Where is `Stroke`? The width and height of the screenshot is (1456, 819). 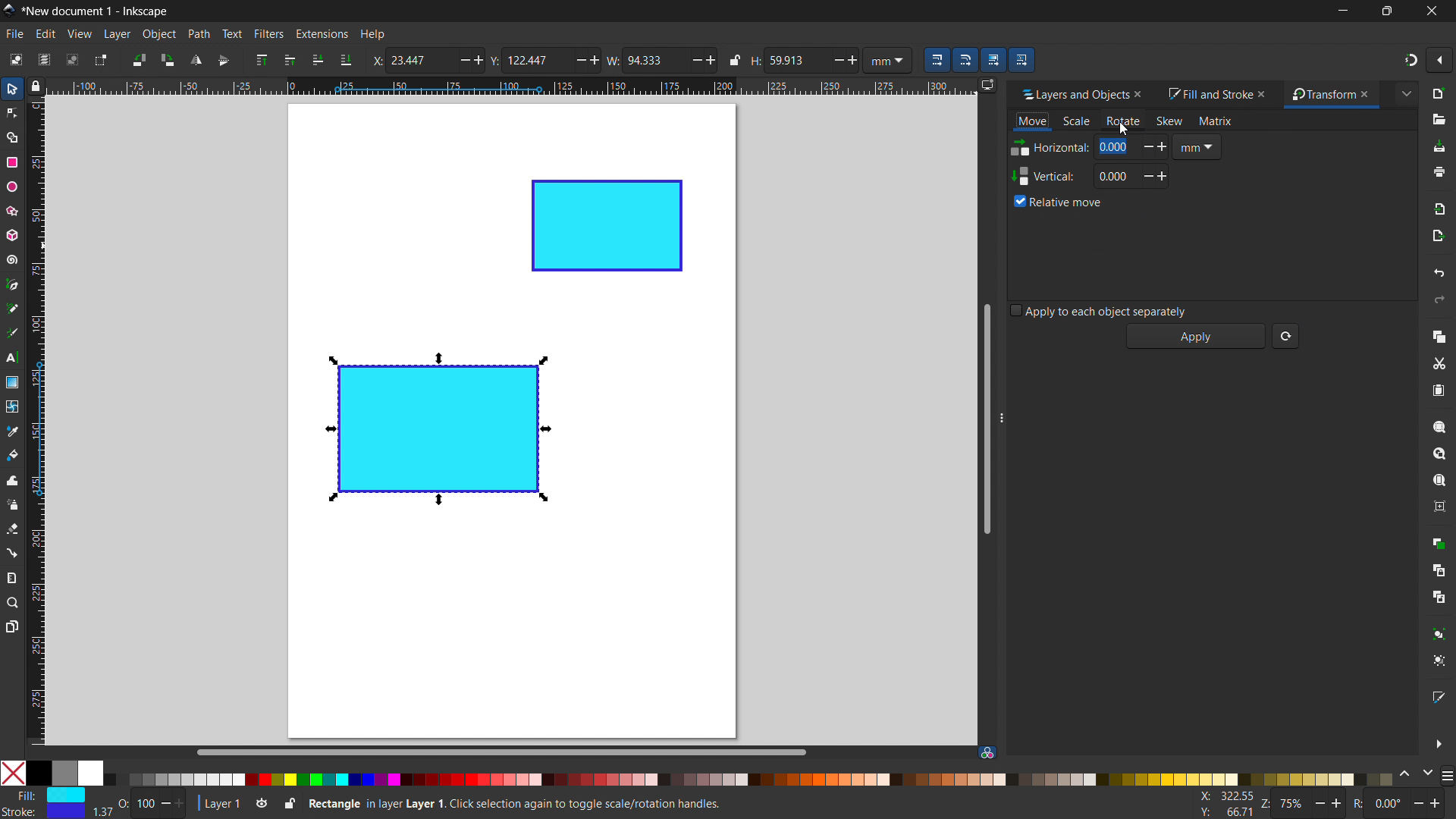
Stroke is located at coordinates (44, 812).